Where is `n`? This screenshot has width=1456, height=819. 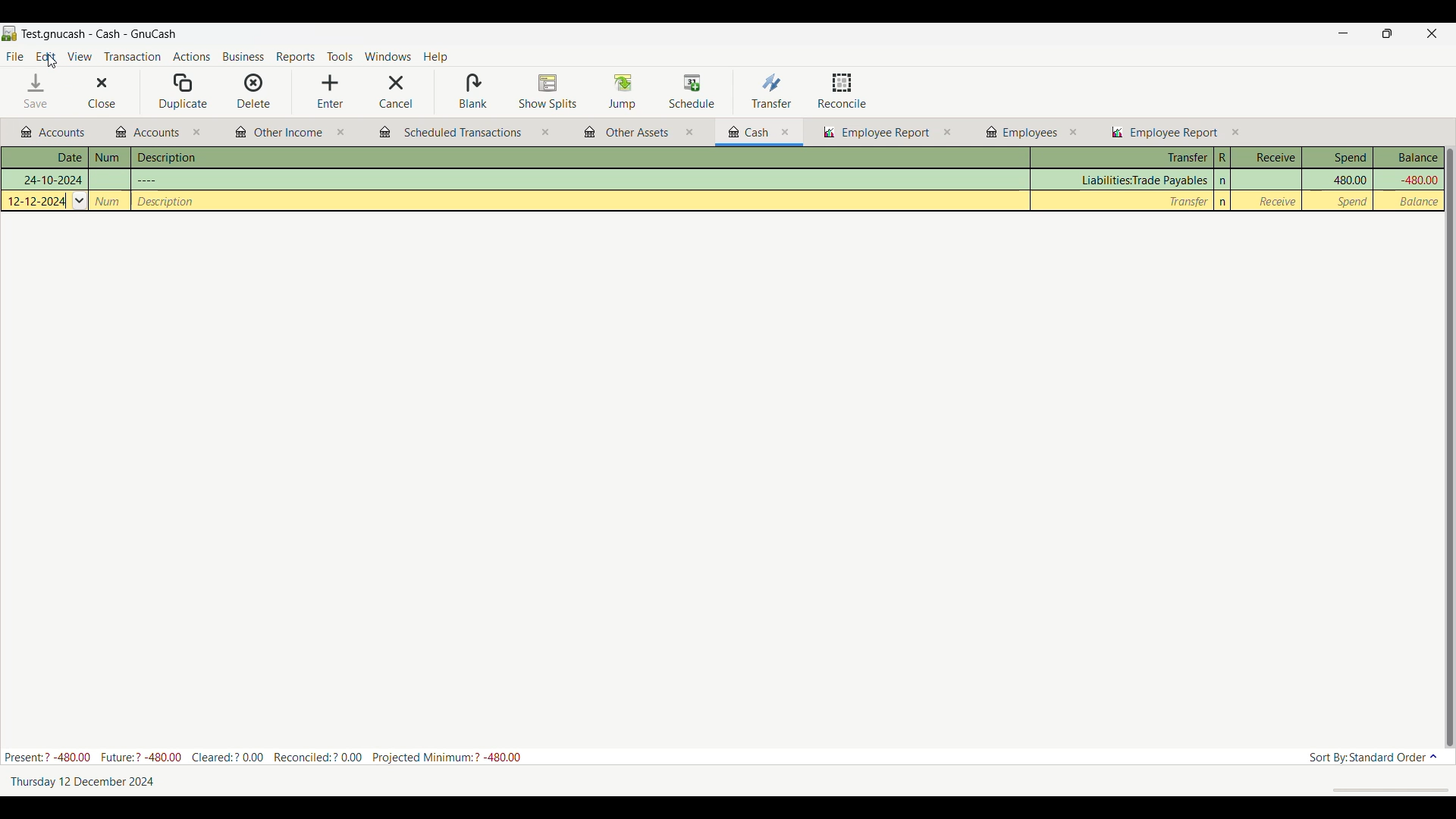
n is located at coordinates (1224, 180).